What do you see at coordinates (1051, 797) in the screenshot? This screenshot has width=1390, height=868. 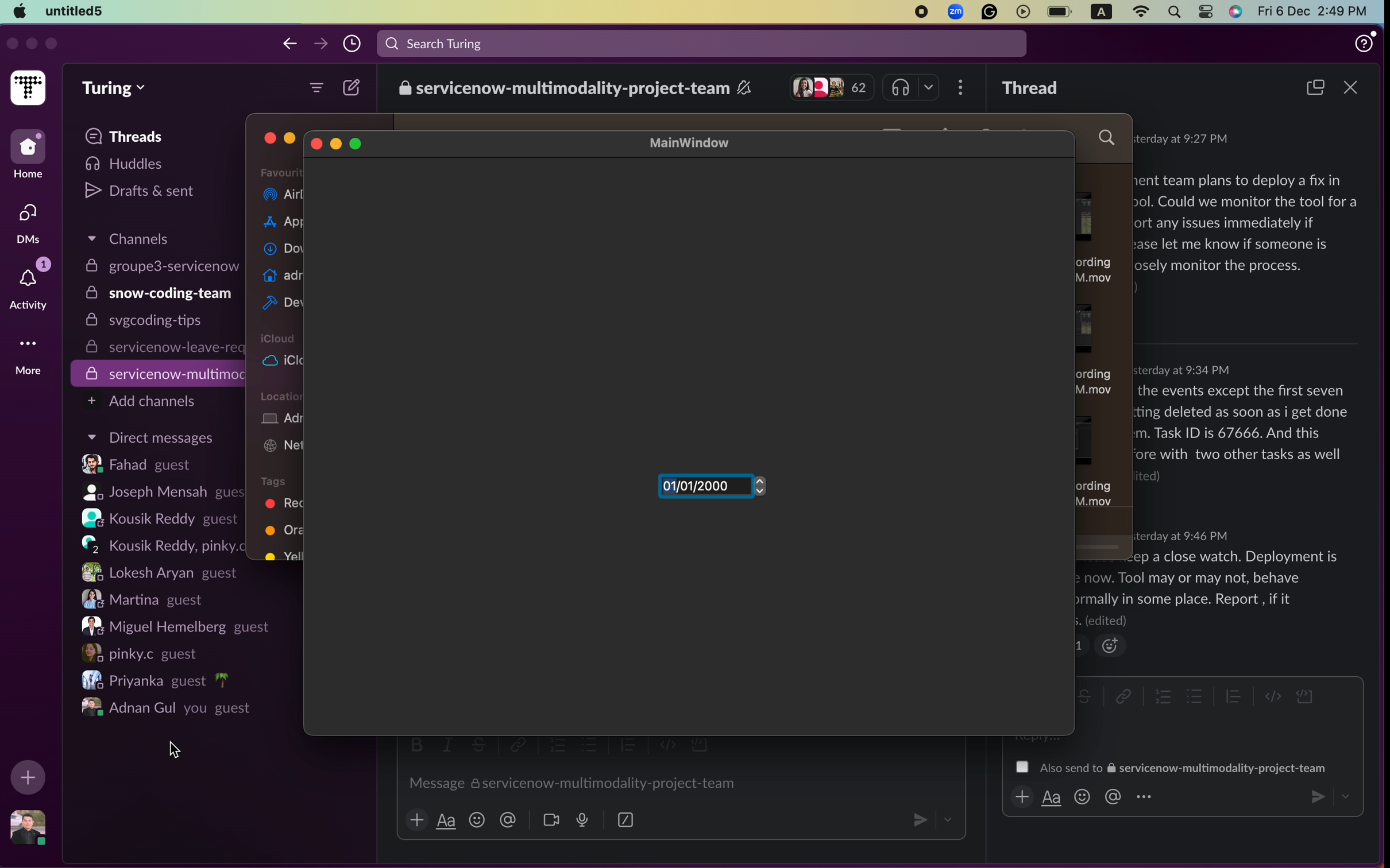 I see `underline` at bounding box center [1051, 797].